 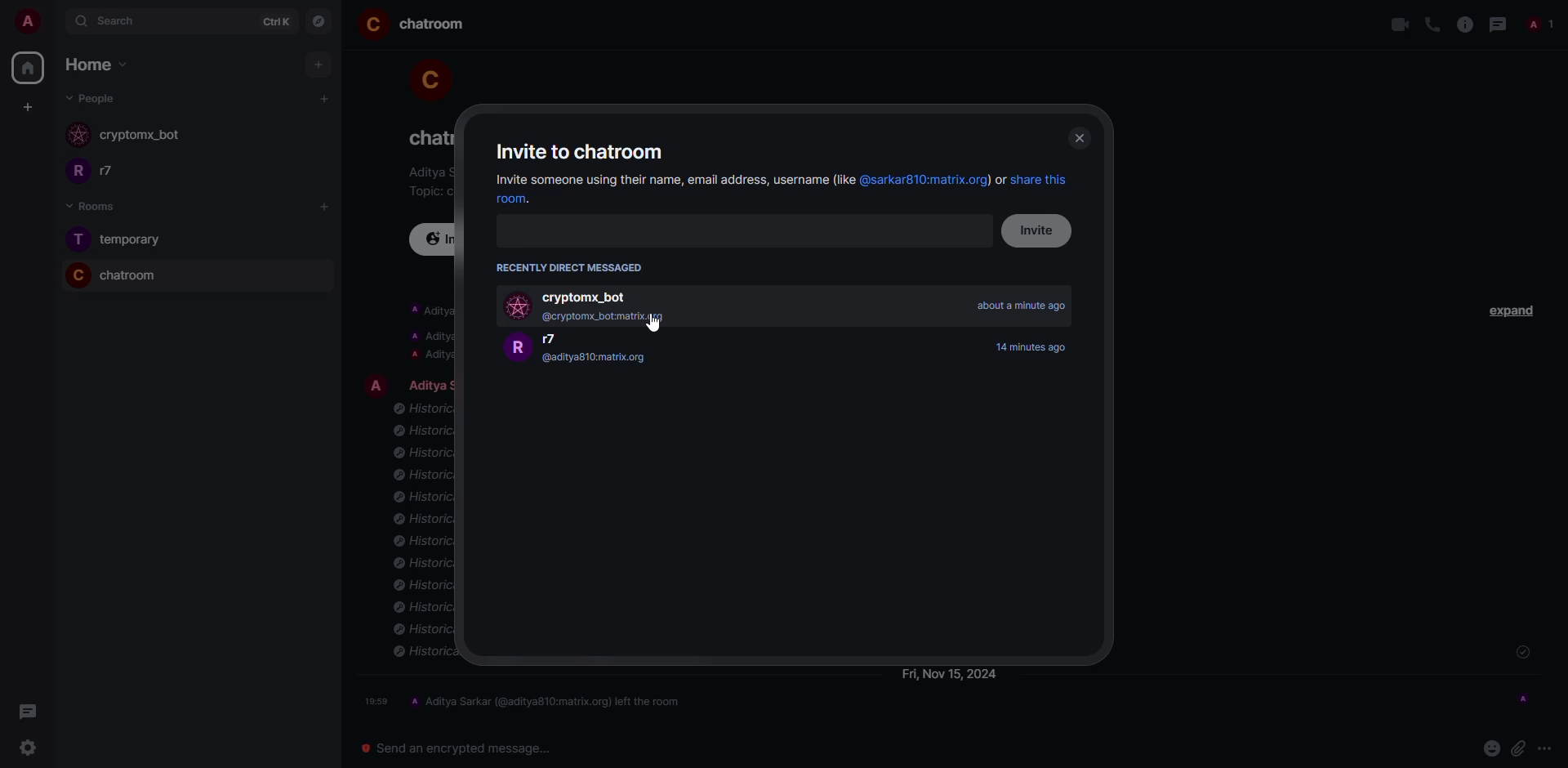 What do you see at coordinates (671, 180) in the screenshot?
I see `invite share` at bounding box center [671, 180].